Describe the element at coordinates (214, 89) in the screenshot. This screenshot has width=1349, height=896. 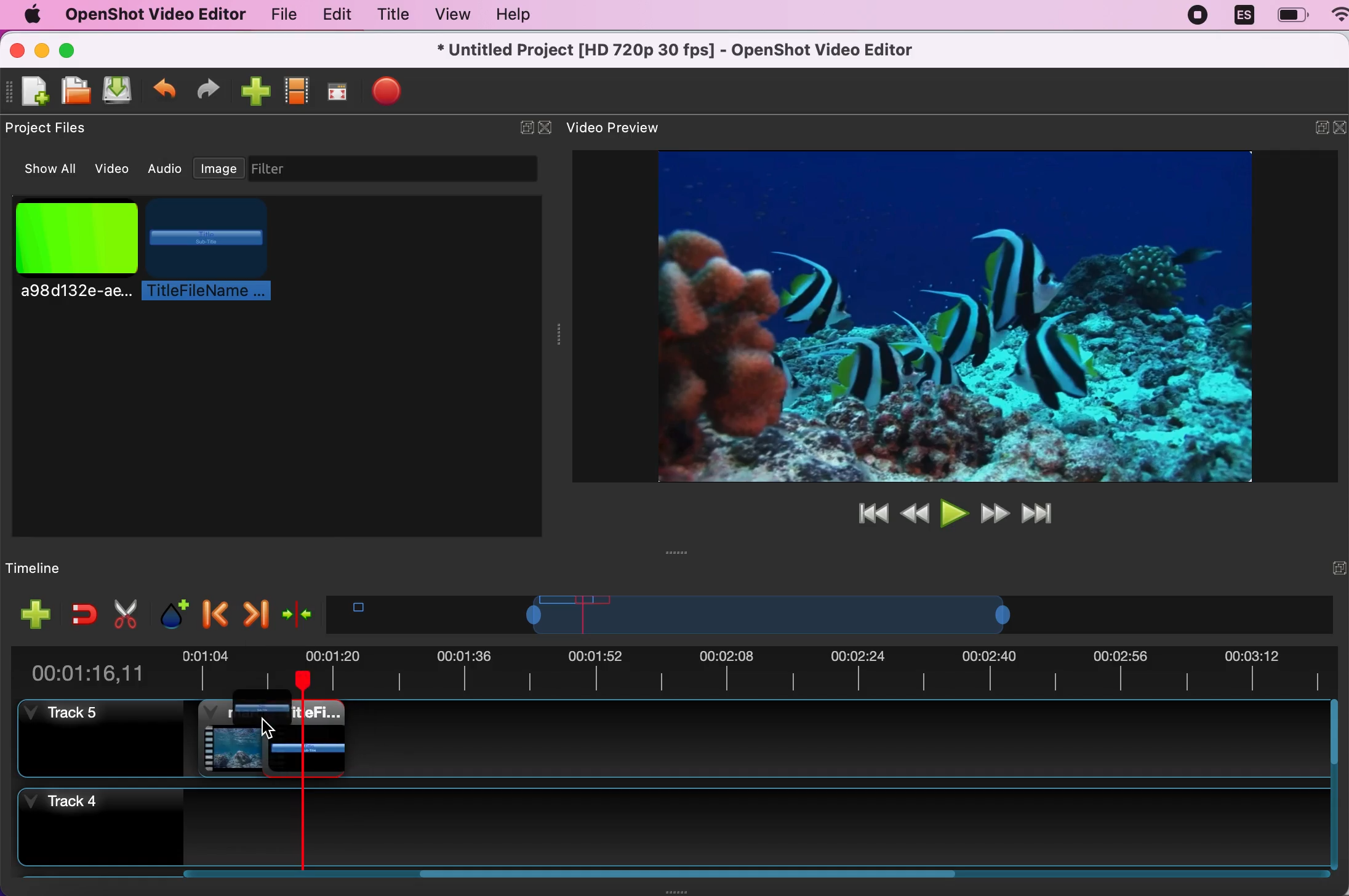
I see `redo` at that location.